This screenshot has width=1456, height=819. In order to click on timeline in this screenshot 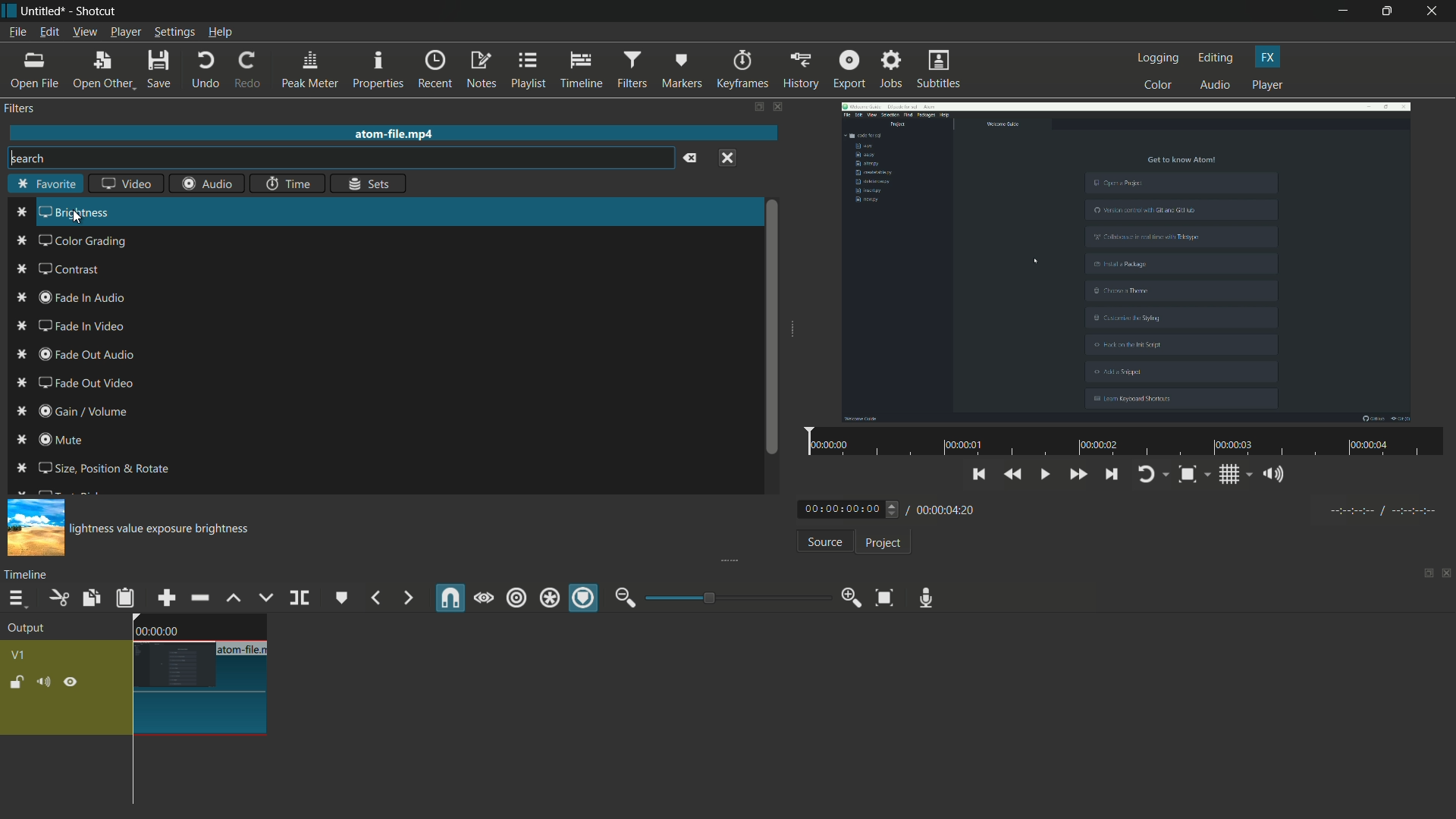, I will do `click(29, 574)`.